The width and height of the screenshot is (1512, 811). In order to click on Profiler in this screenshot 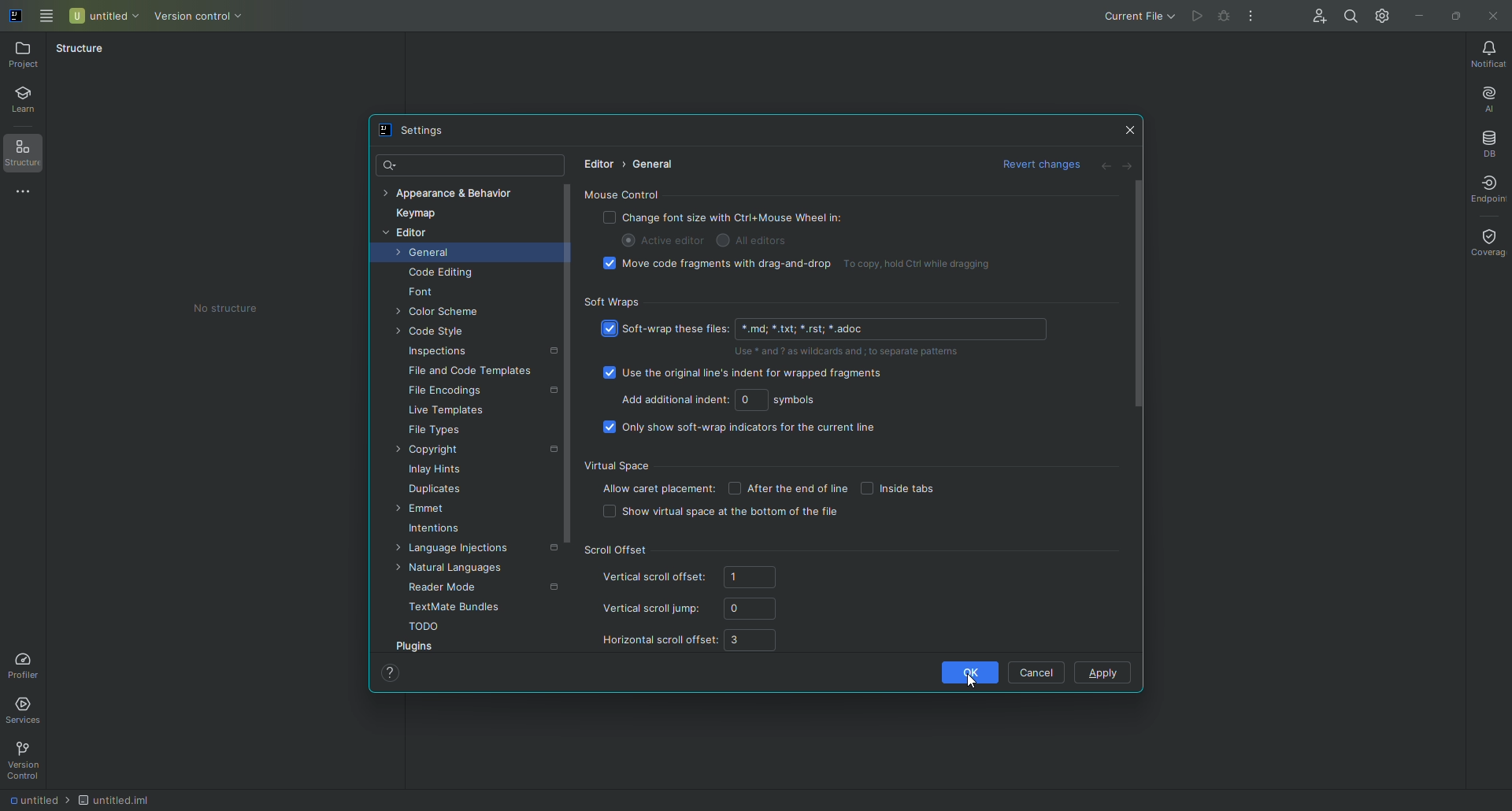, I will do `click(27, 663)`.